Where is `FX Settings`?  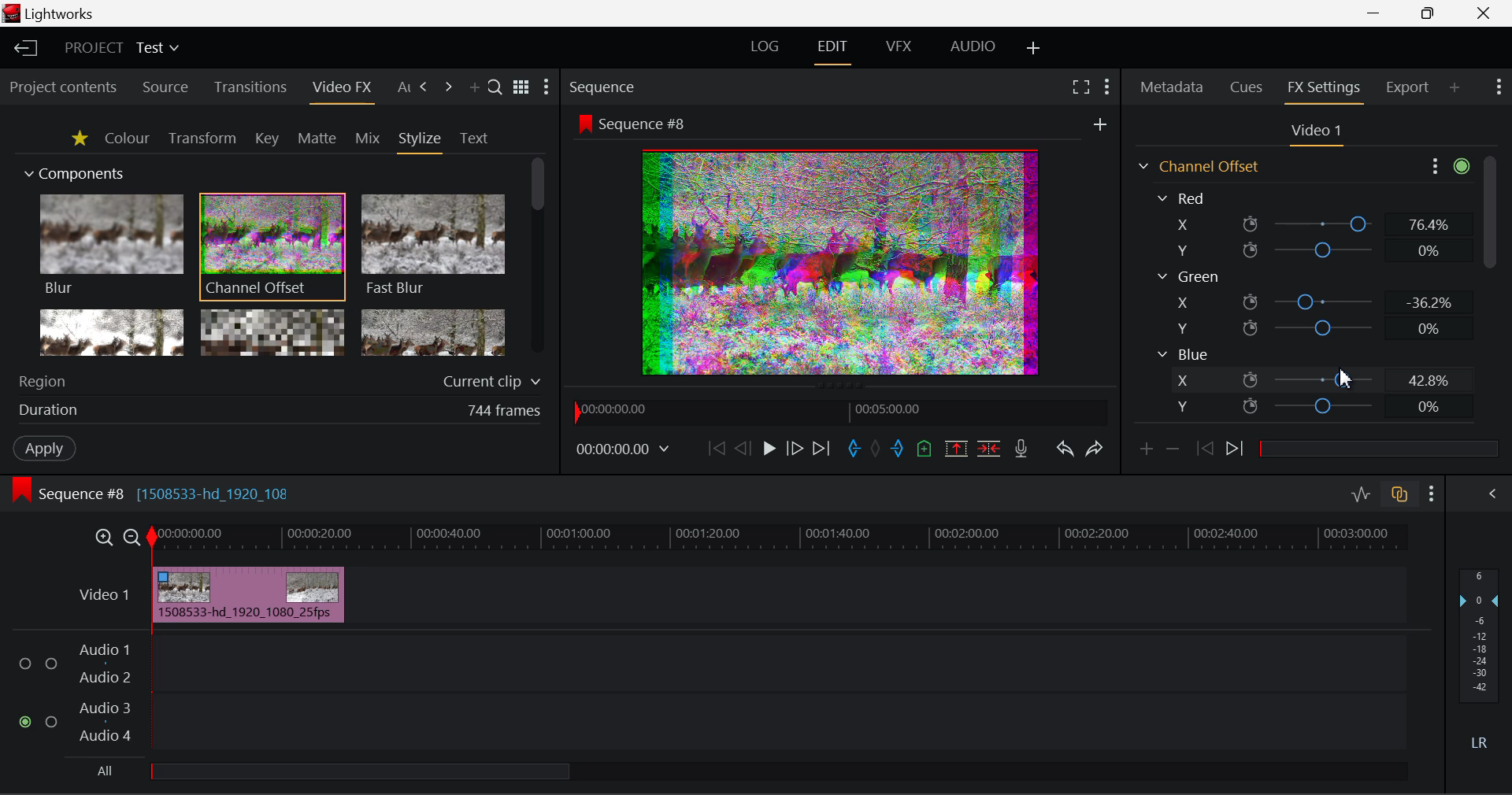
FX Settings is located at coordinates (1325, 89).